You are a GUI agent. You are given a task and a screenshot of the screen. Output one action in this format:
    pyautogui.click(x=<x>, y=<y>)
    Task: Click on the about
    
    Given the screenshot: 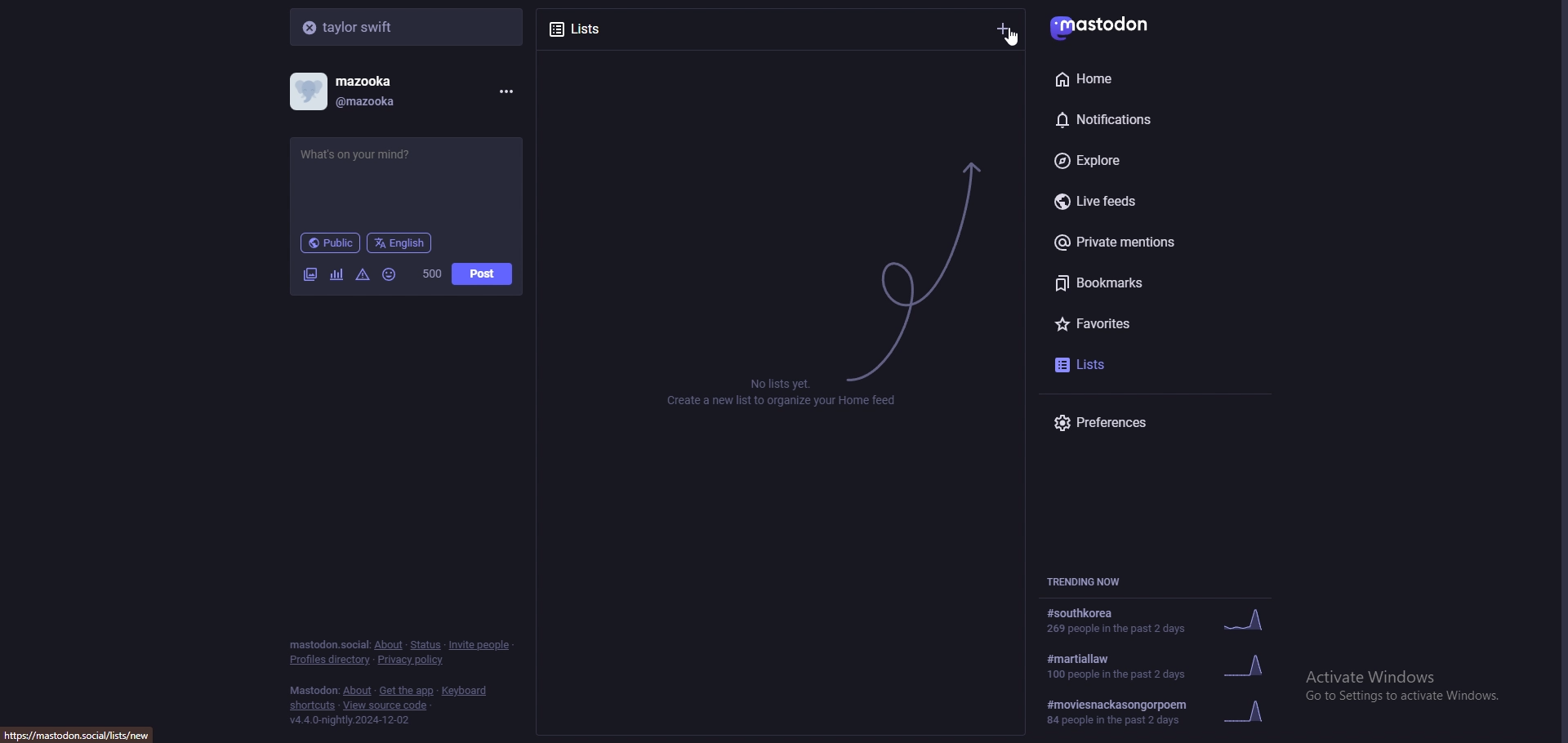 What is the action you would take?
    pyautogui.click(x=388, y=645)
    